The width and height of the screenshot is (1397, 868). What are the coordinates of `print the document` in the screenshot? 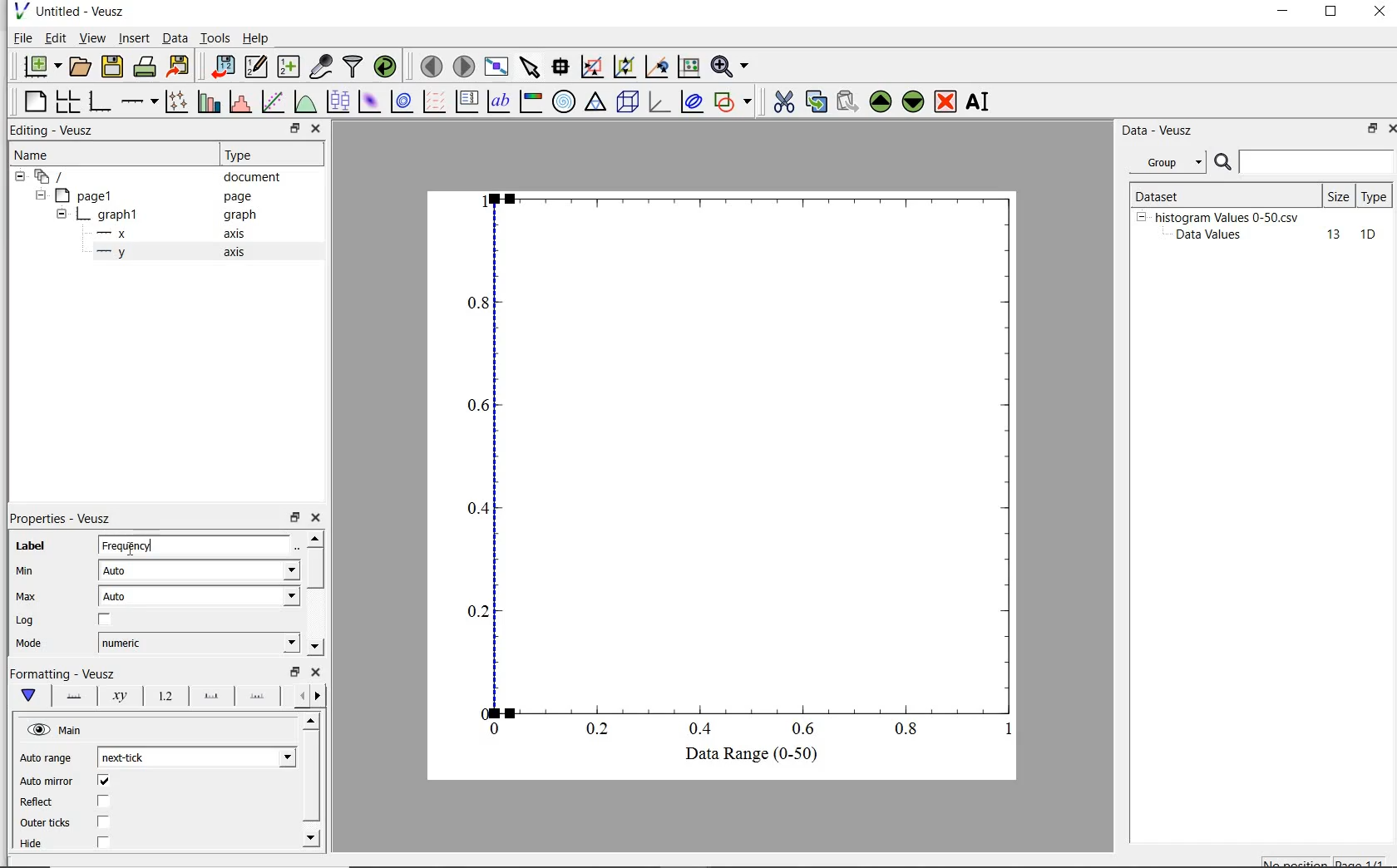 It's located at (146, 65).